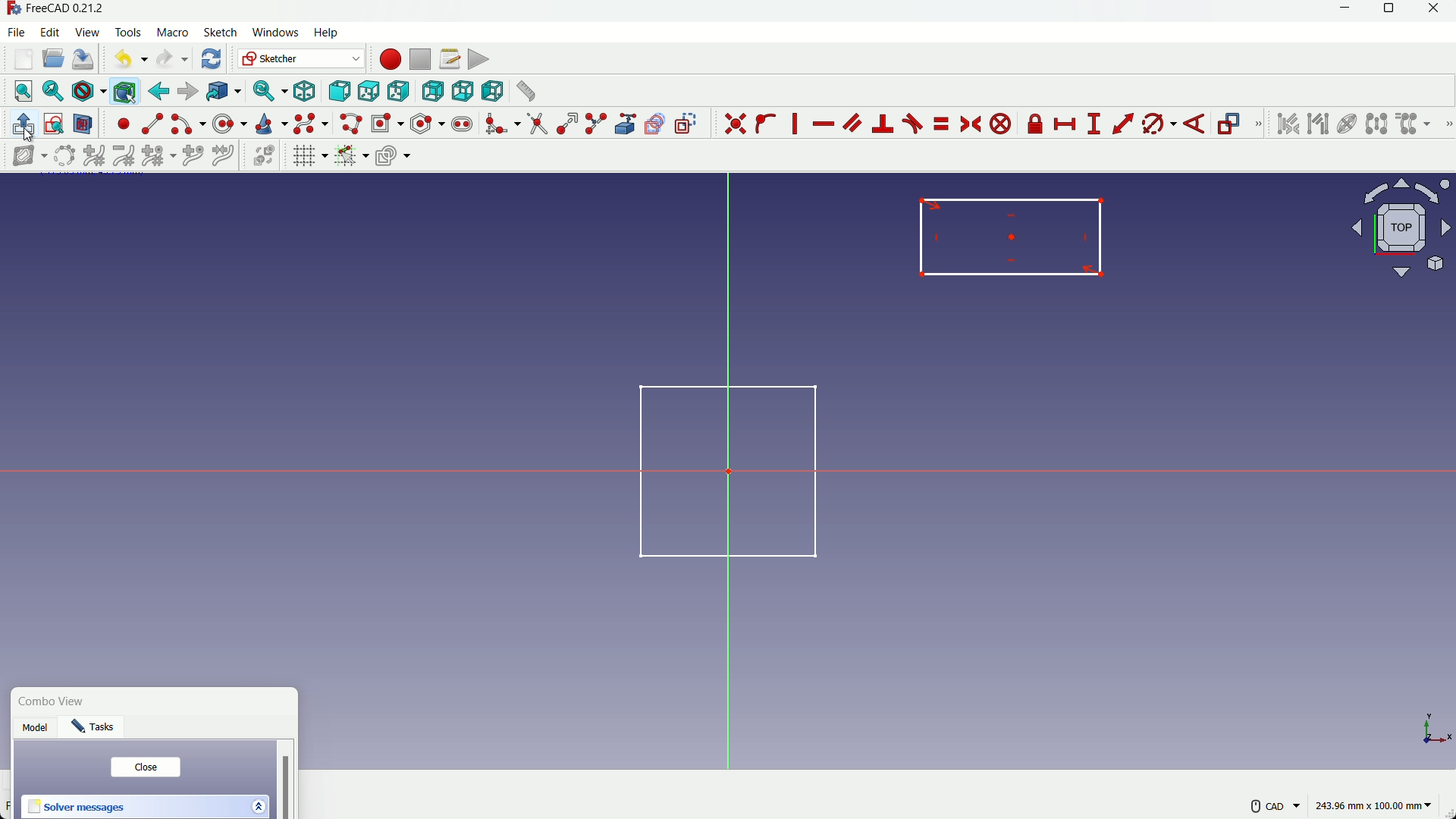 The height and width of the screenshot is (819, 1456). I want to click on create rectangle, so click(386, 123).